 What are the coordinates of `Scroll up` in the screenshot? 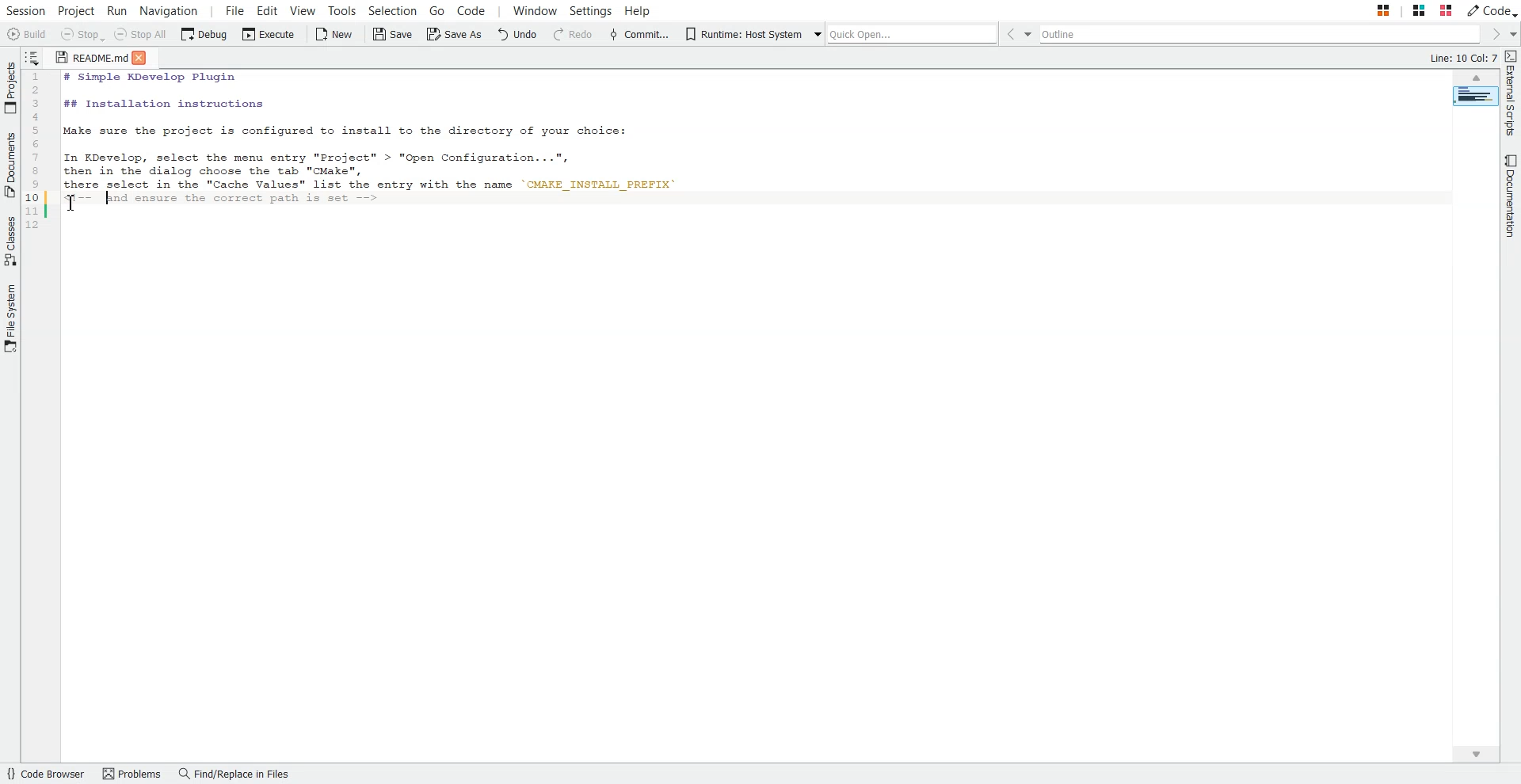 It's located at (1475, 77).